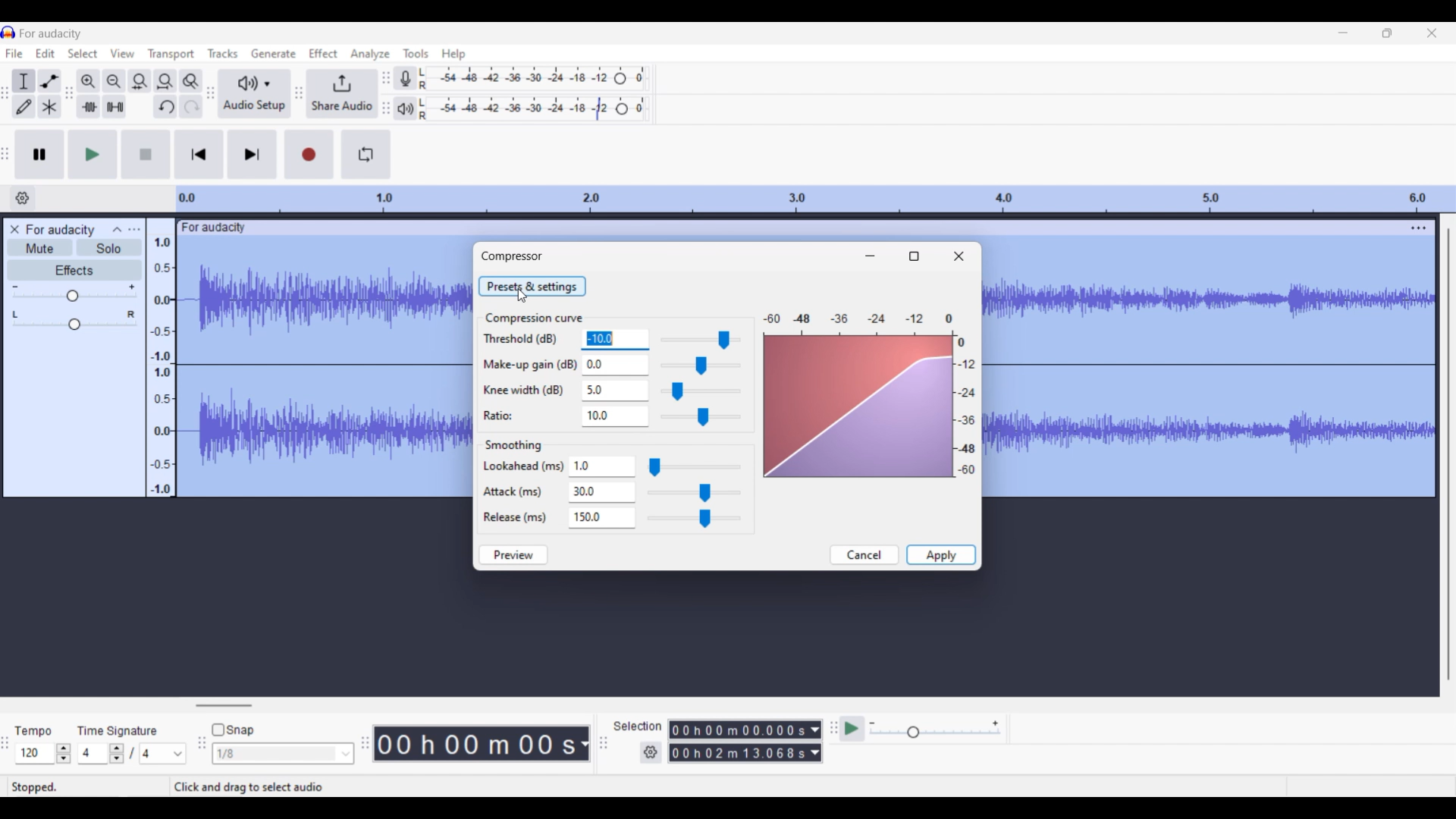 The height and width of the screenshot is (819, 1456). Describe the element at coordinates (253, 155) in the screenshot. I see `Skip/Select to end` at that location.